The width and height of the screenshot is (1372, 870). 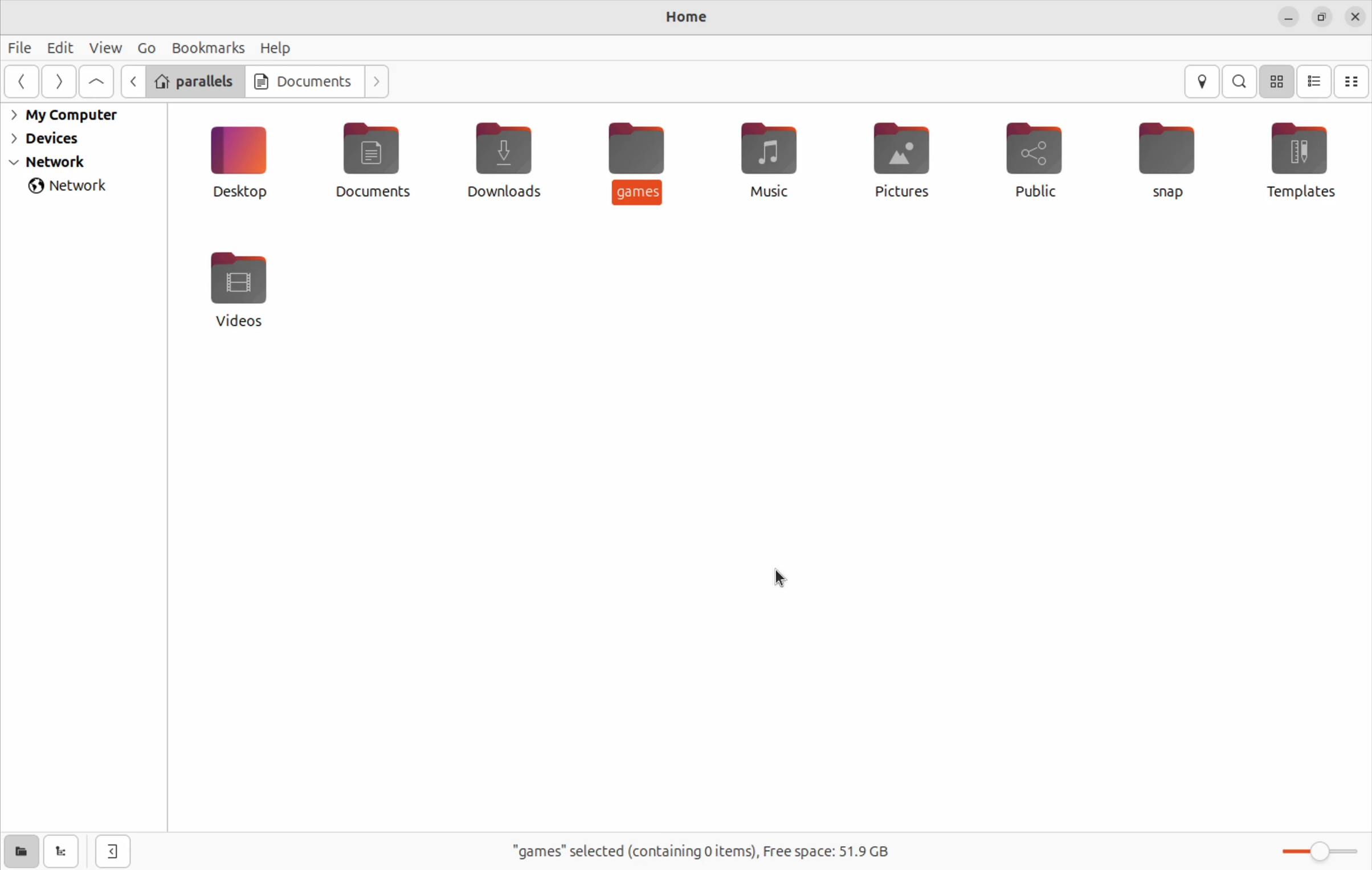 I want to click on Documents, so click(x=371, y=166).